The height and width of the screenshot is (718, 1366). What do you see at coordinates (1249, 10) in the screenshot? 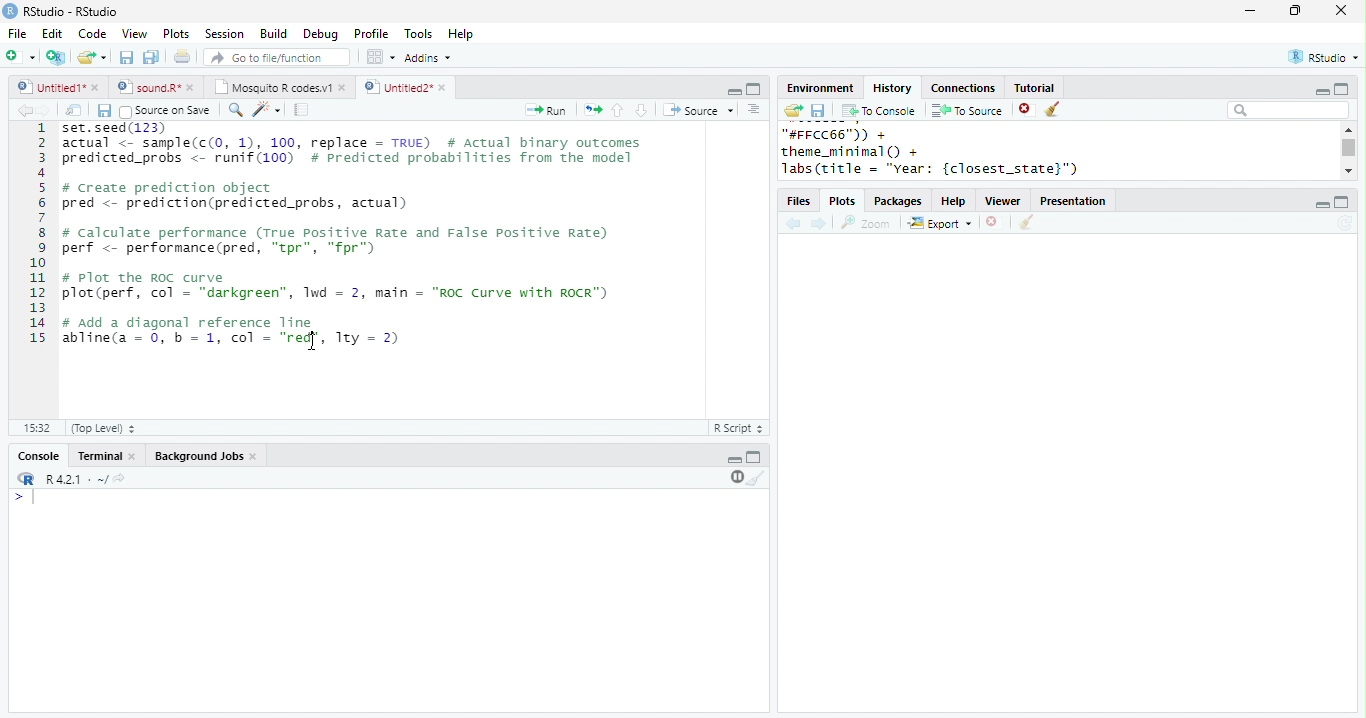
I see `minimize` at bounding box center [1249, 10].